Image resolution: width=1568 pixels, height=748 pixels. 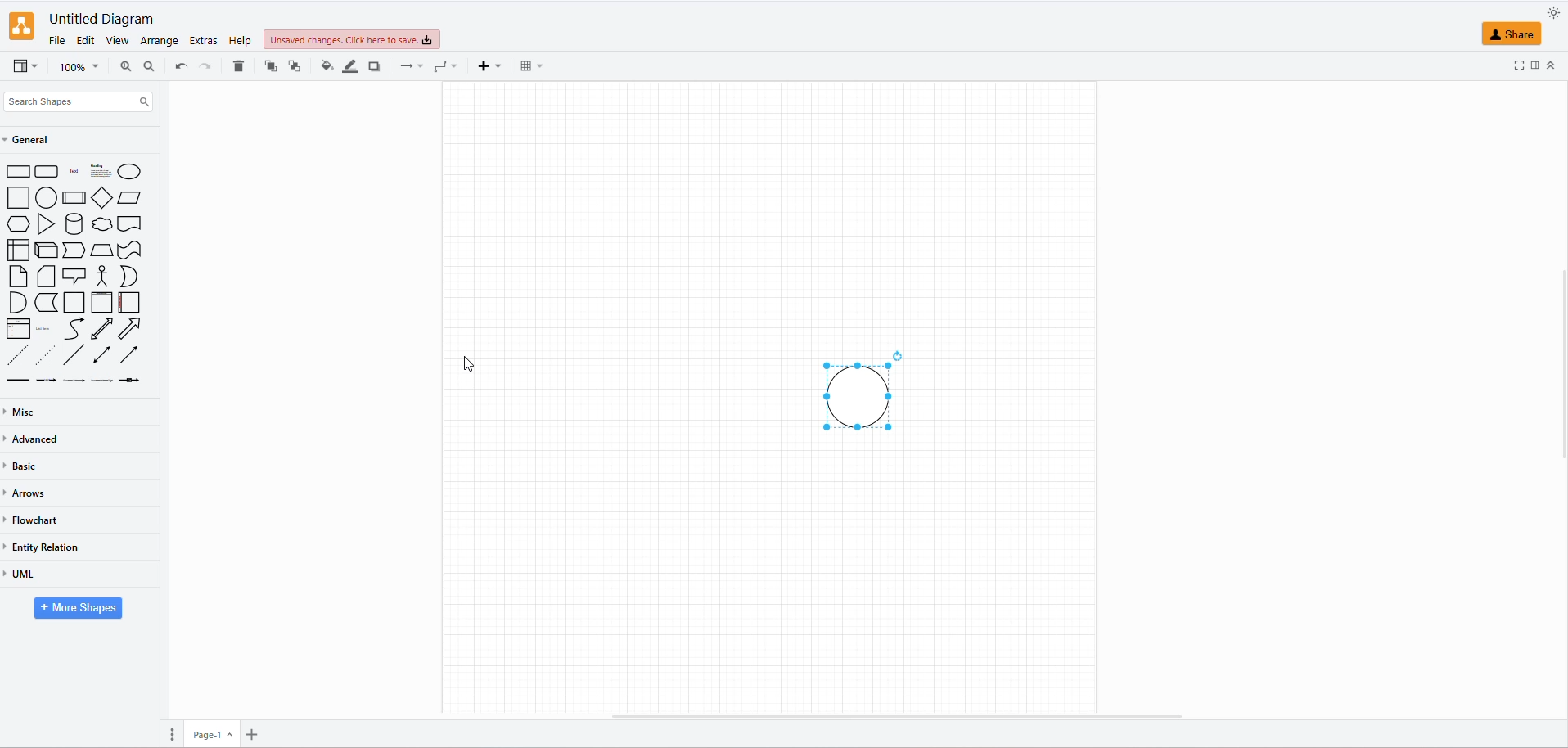 What do you see at coordinates (257, 732) in the screenshot?
I see `INSERT PAGE` at bounding box center [257, 732].